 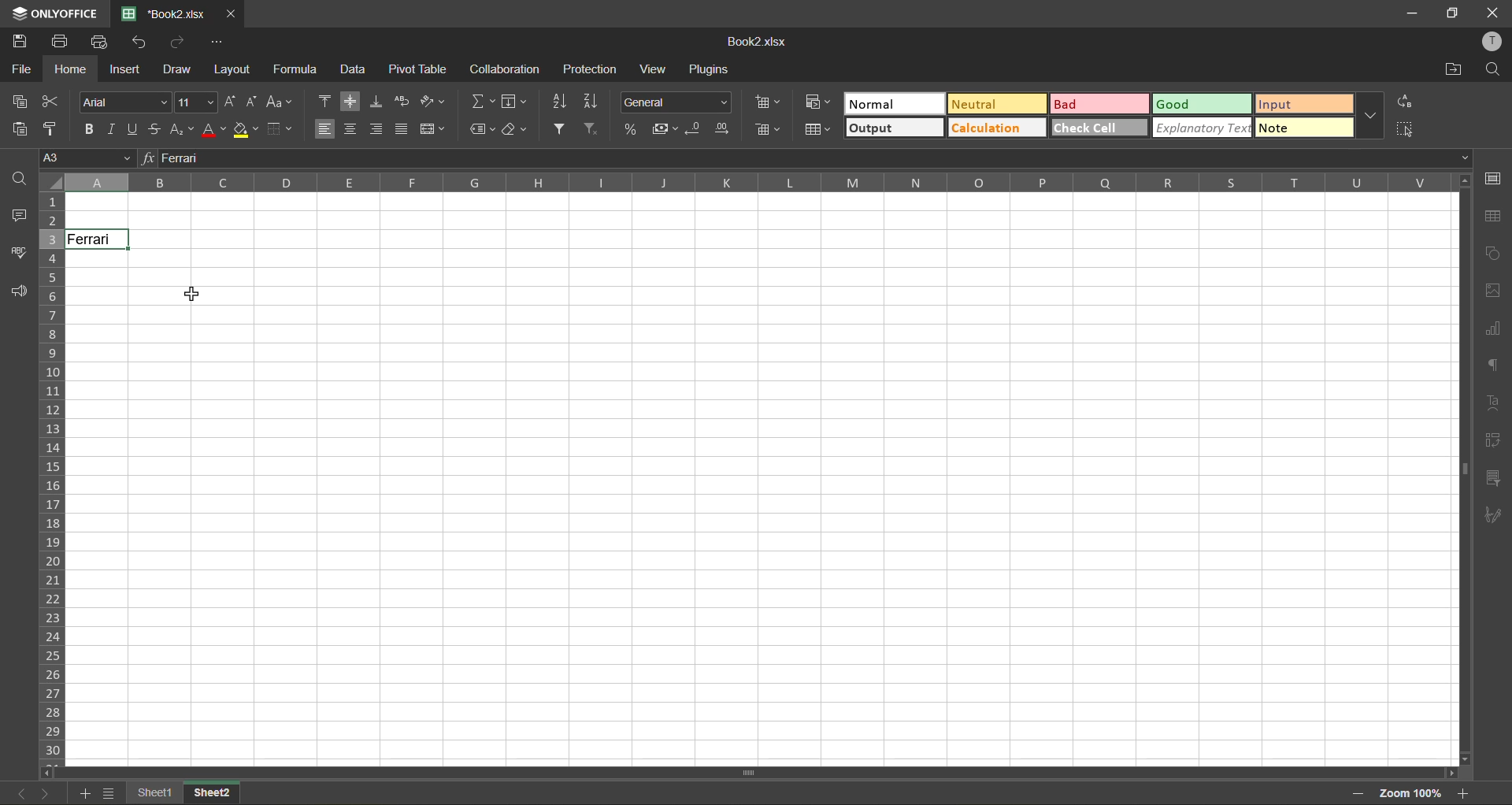 What do you see at coordinates (1202, 128) in the screenshot?
I see `explanatory text` at bounding box center [1202, 128].